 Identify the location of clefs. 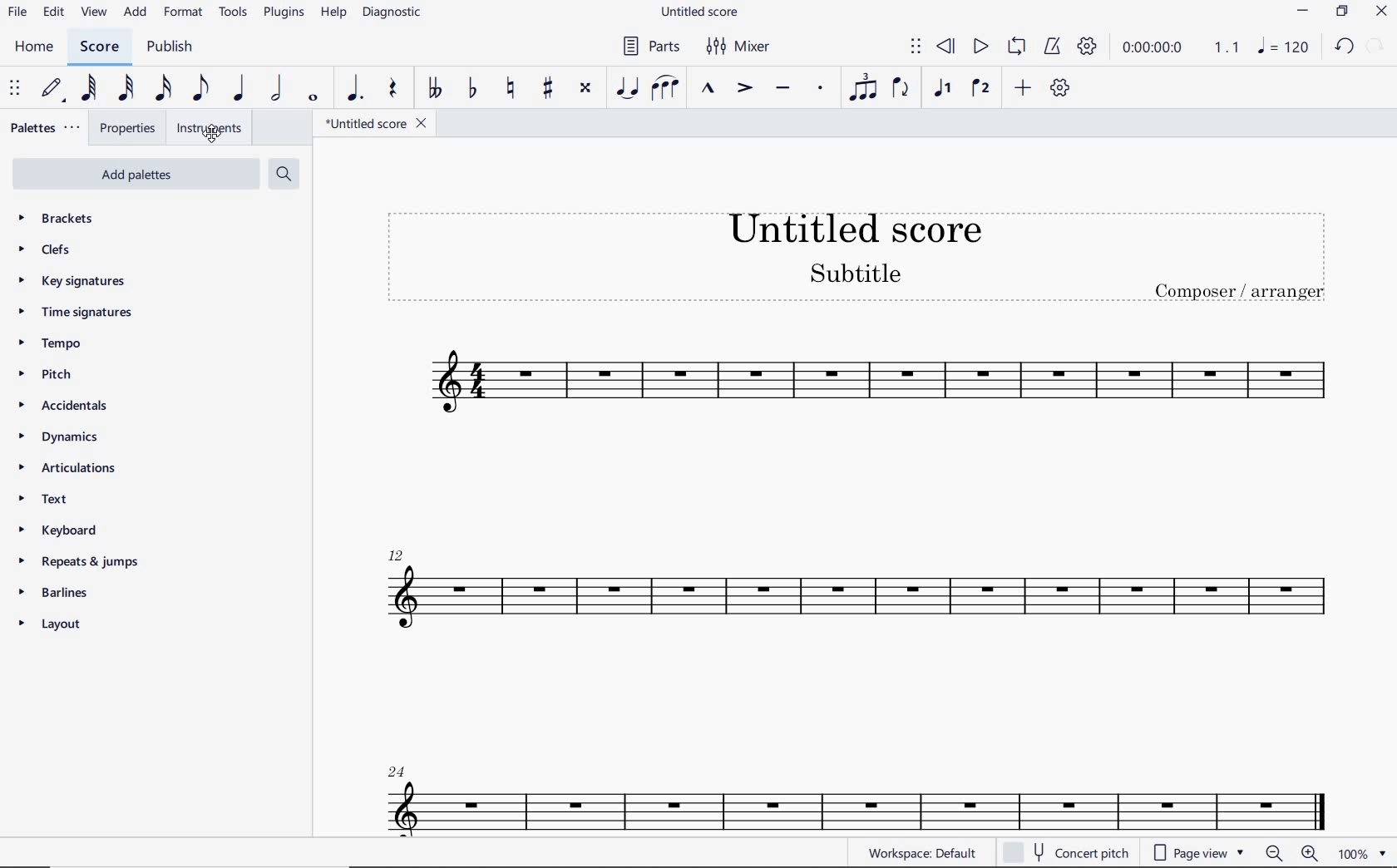
(46, 250).